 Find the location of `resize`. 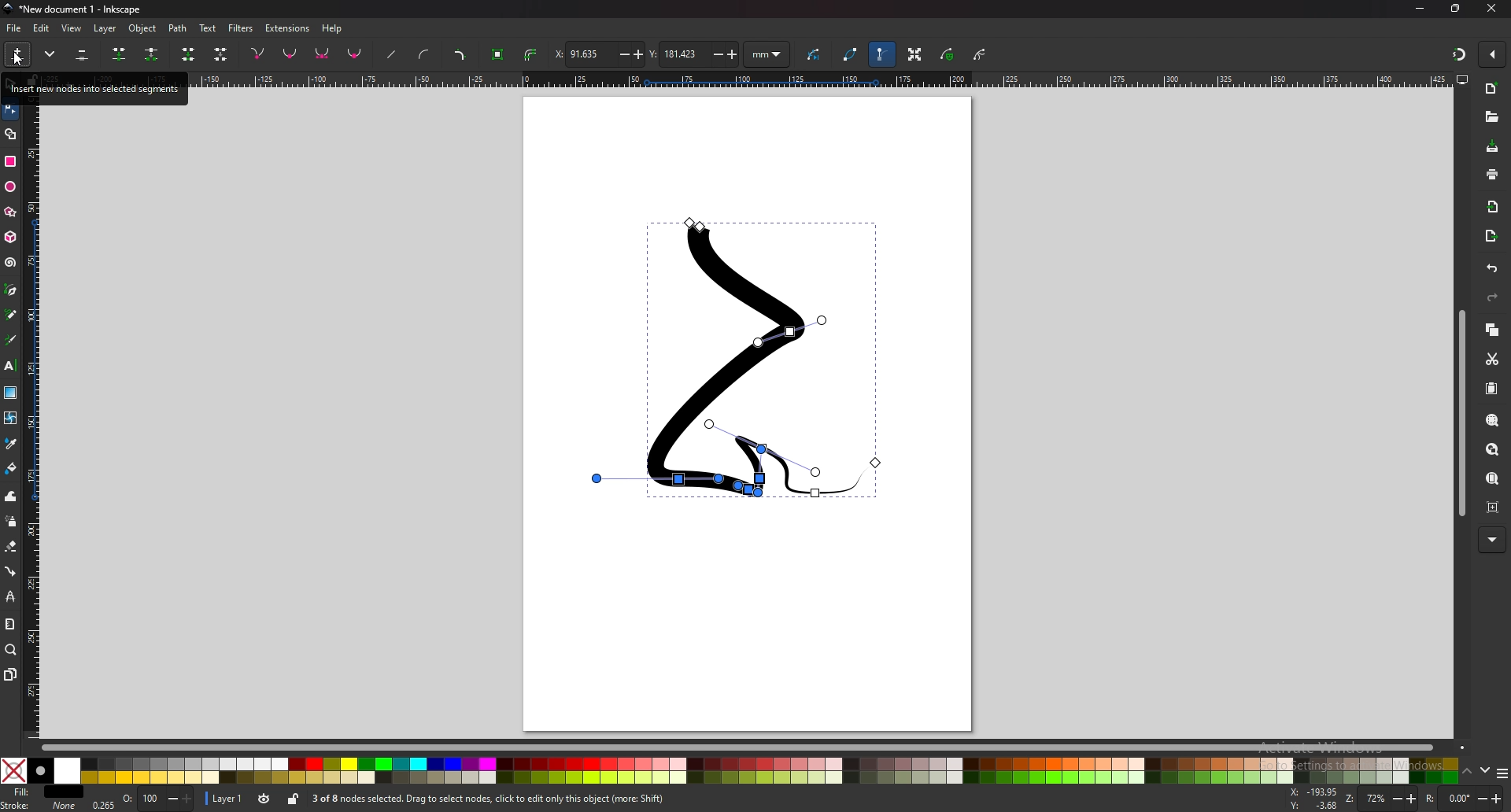

resize is located at coordinates (1457, 9).